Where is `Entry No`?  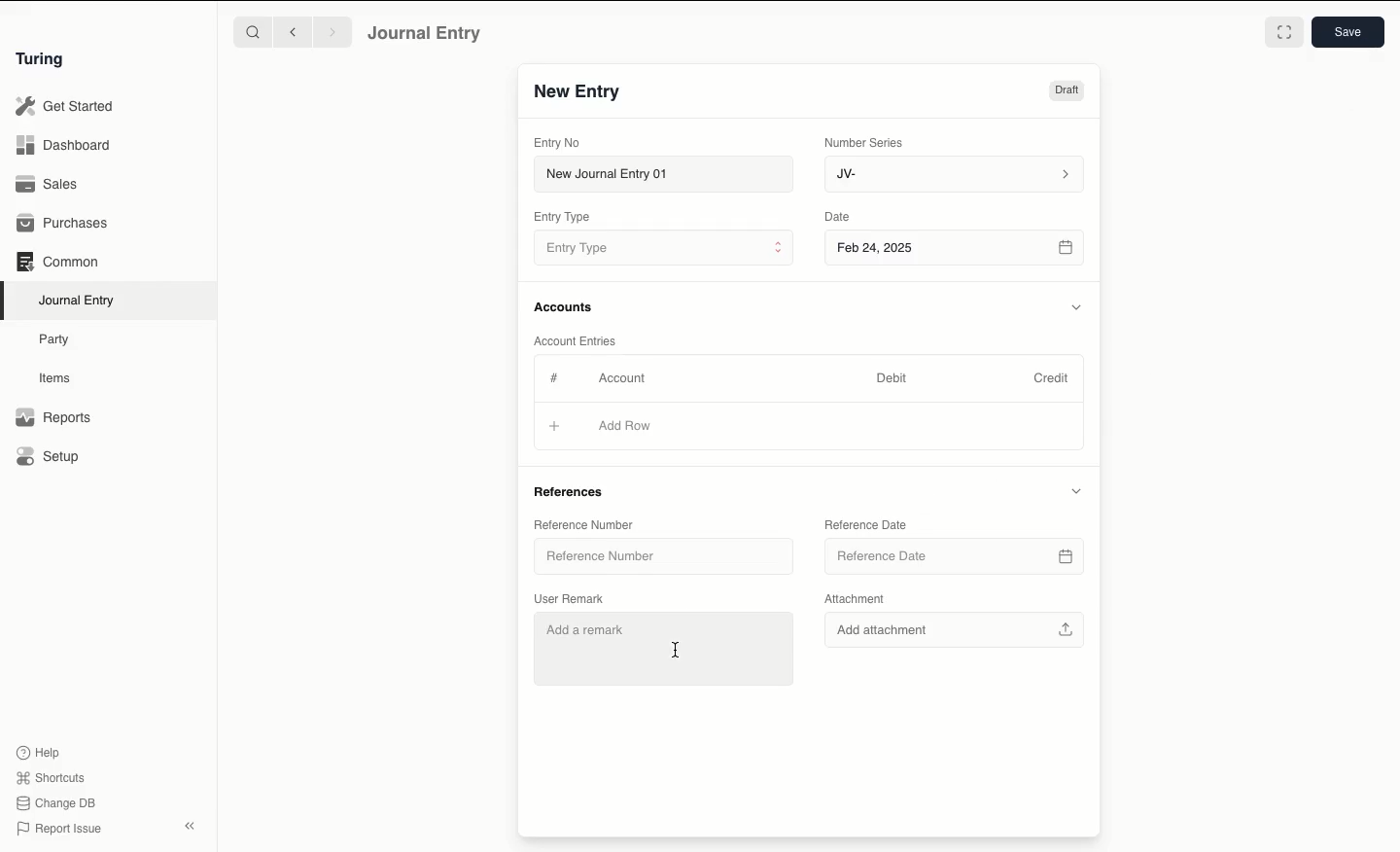 Entry No is located at coordinates (557, 143).